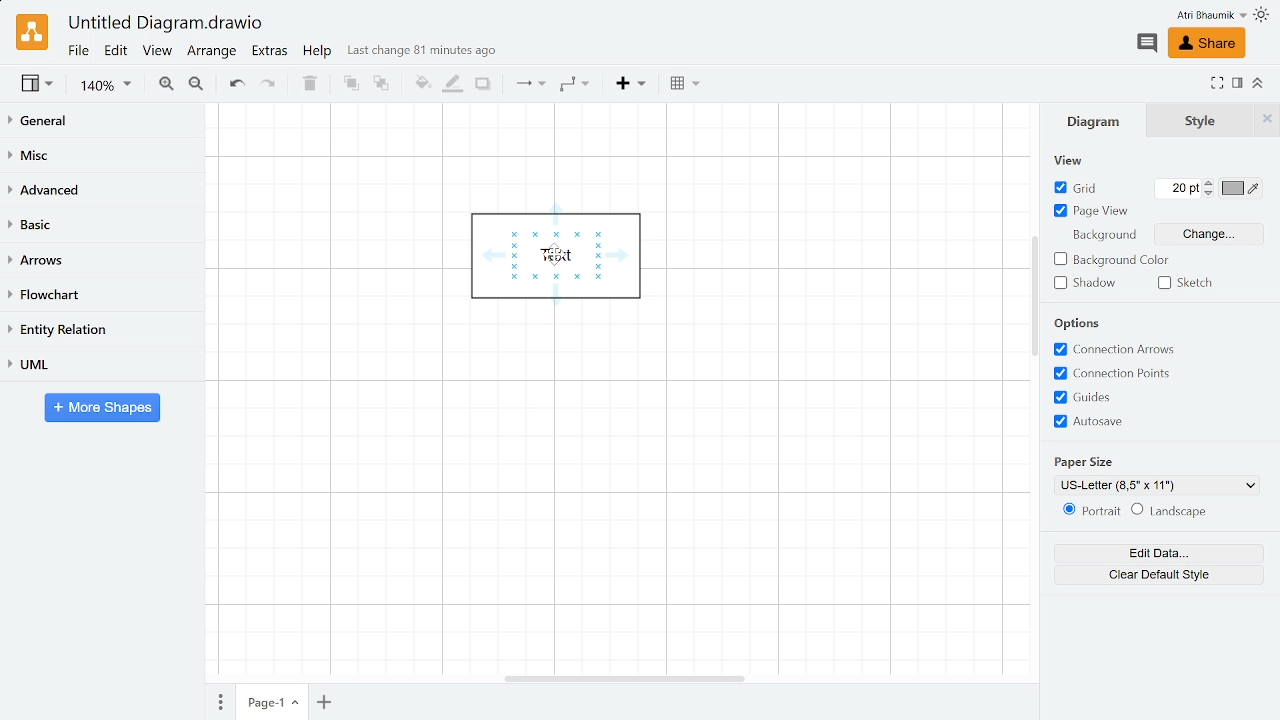  Describe the element at coordinates (31, 32) in the screenshot. I see `Drag.io logo` at that location.